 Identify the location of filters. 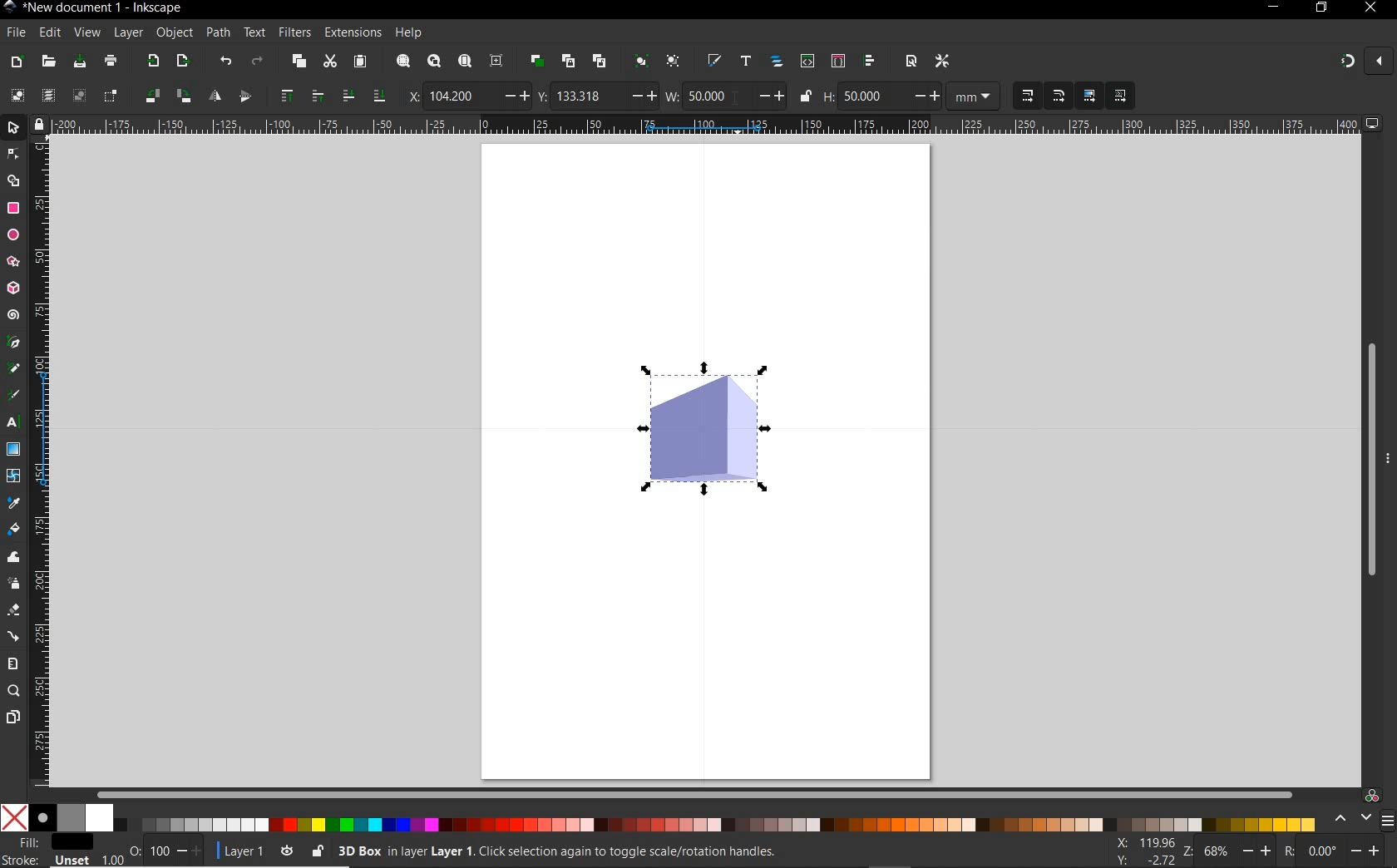
(296, 32).